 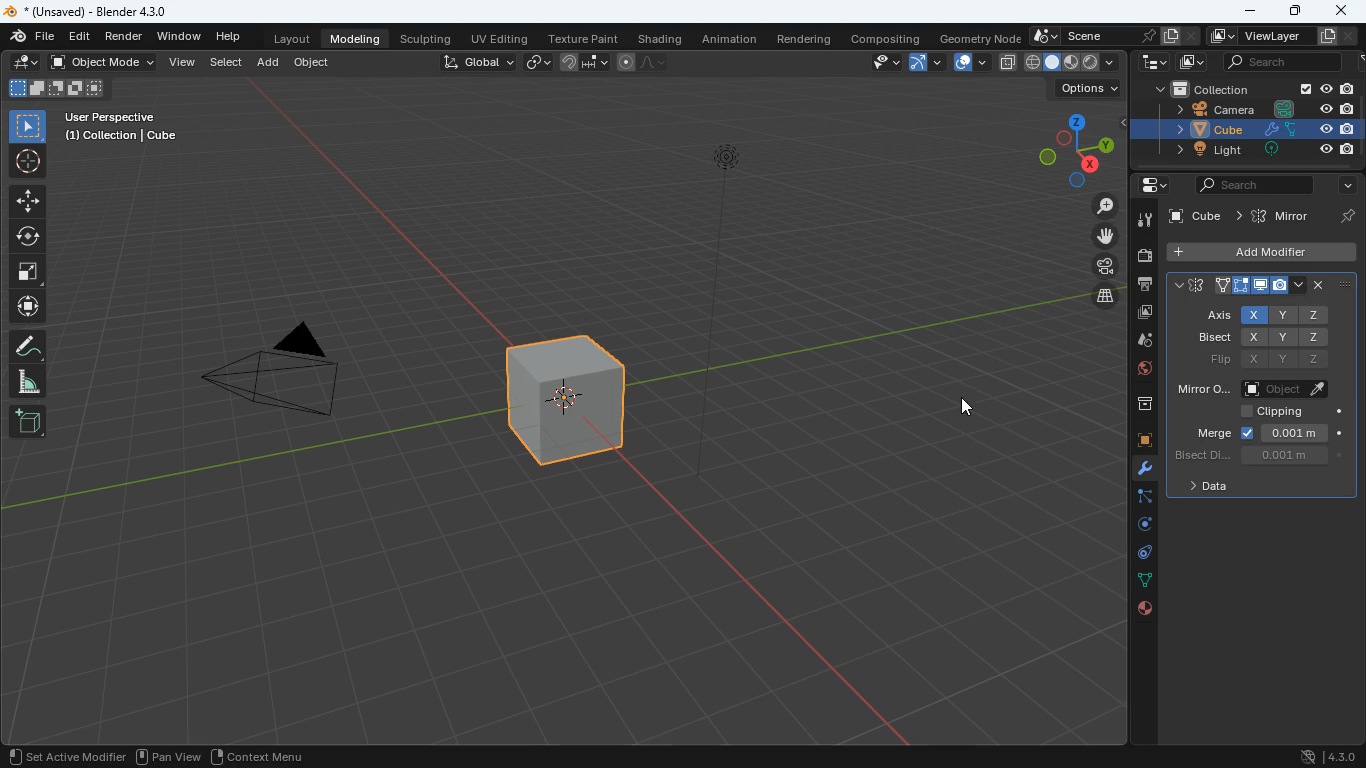 What do you see at coordinates (1256, 456) in the screenshot?
I see `bisect` at bounding box center [1256, 456].